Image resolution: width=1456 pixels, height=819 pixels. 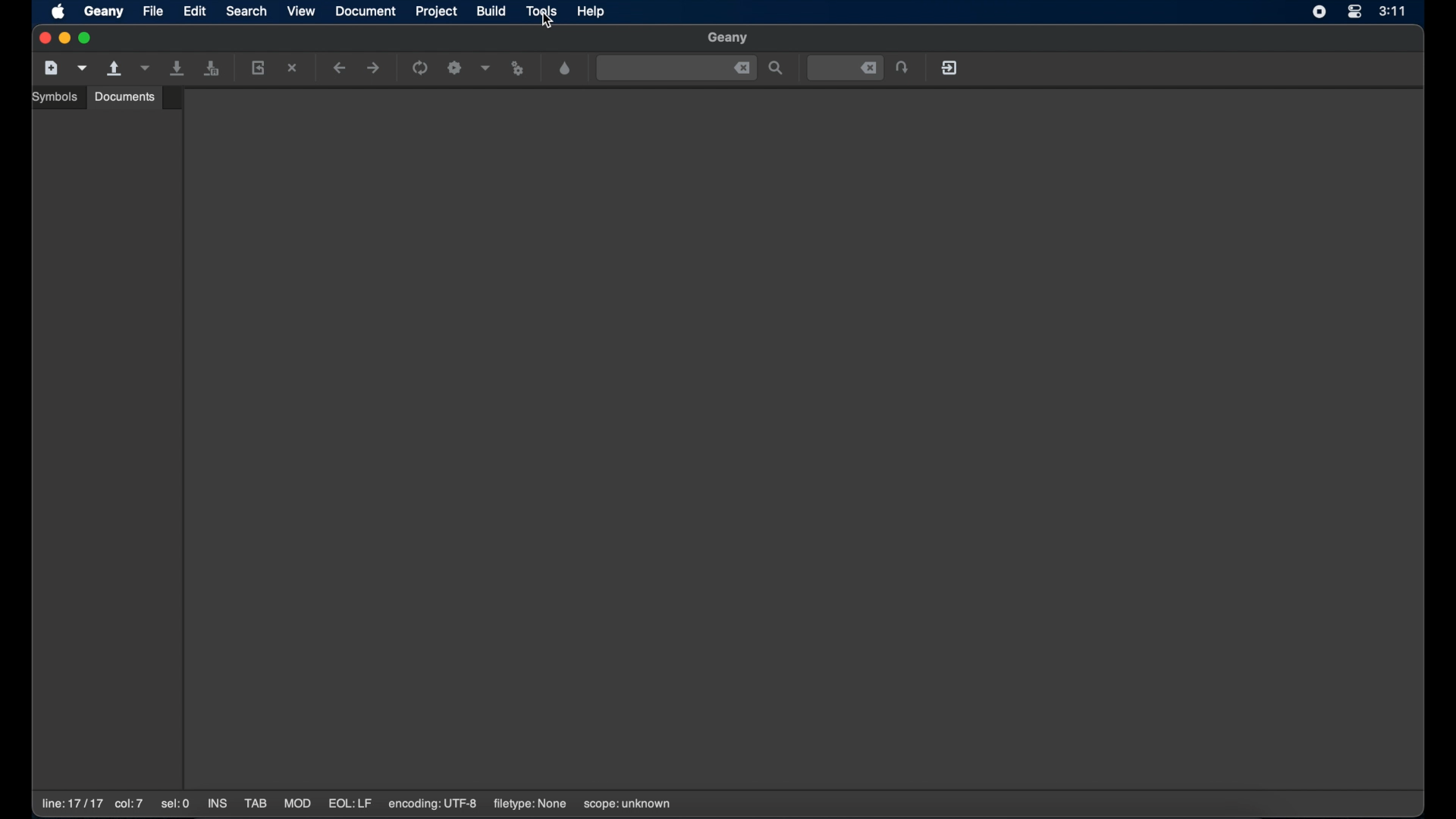 I want to click on co:7, so click(x=128, y=805).